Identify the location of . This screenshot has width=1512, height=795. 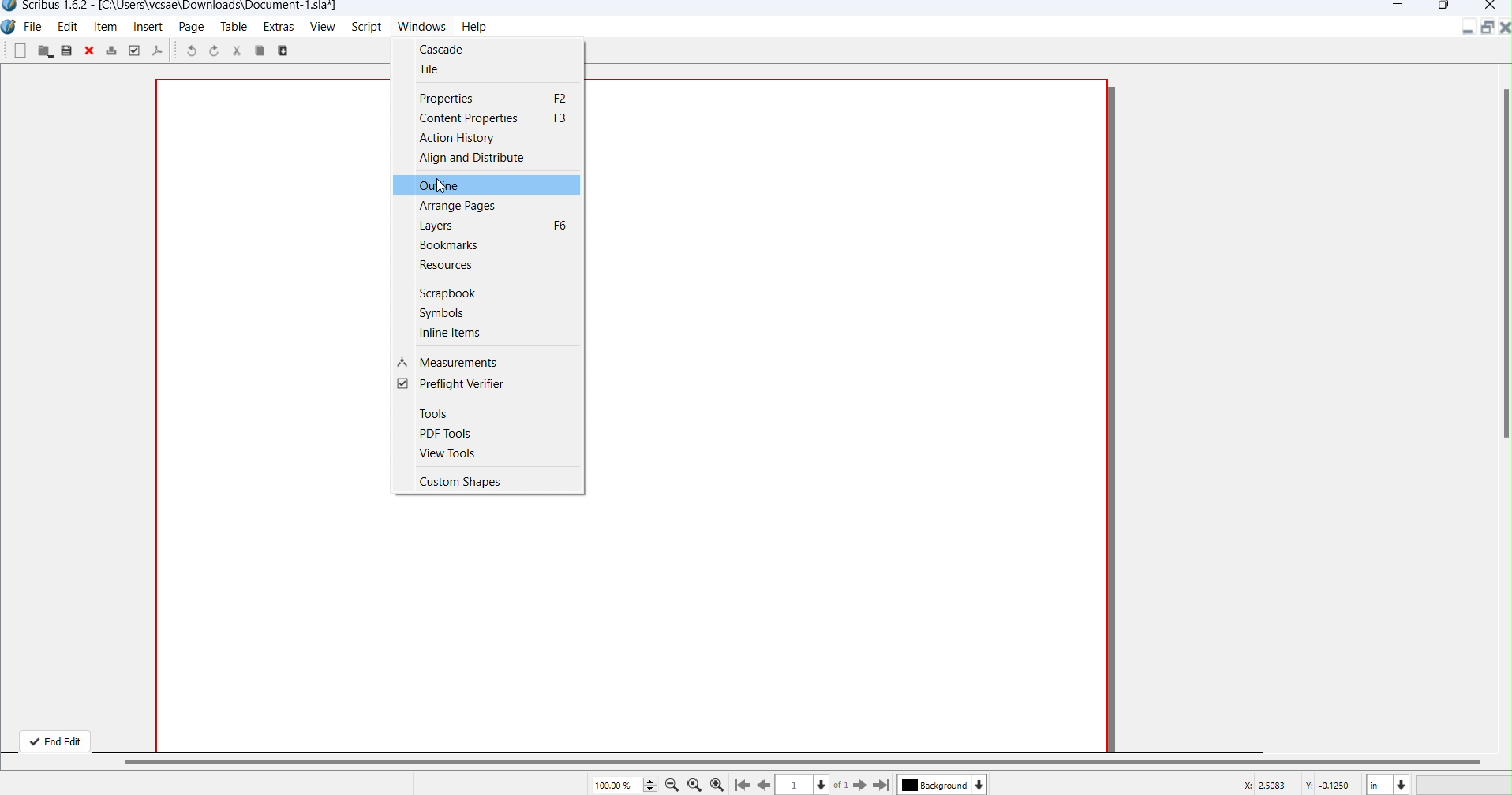
(136, 50).